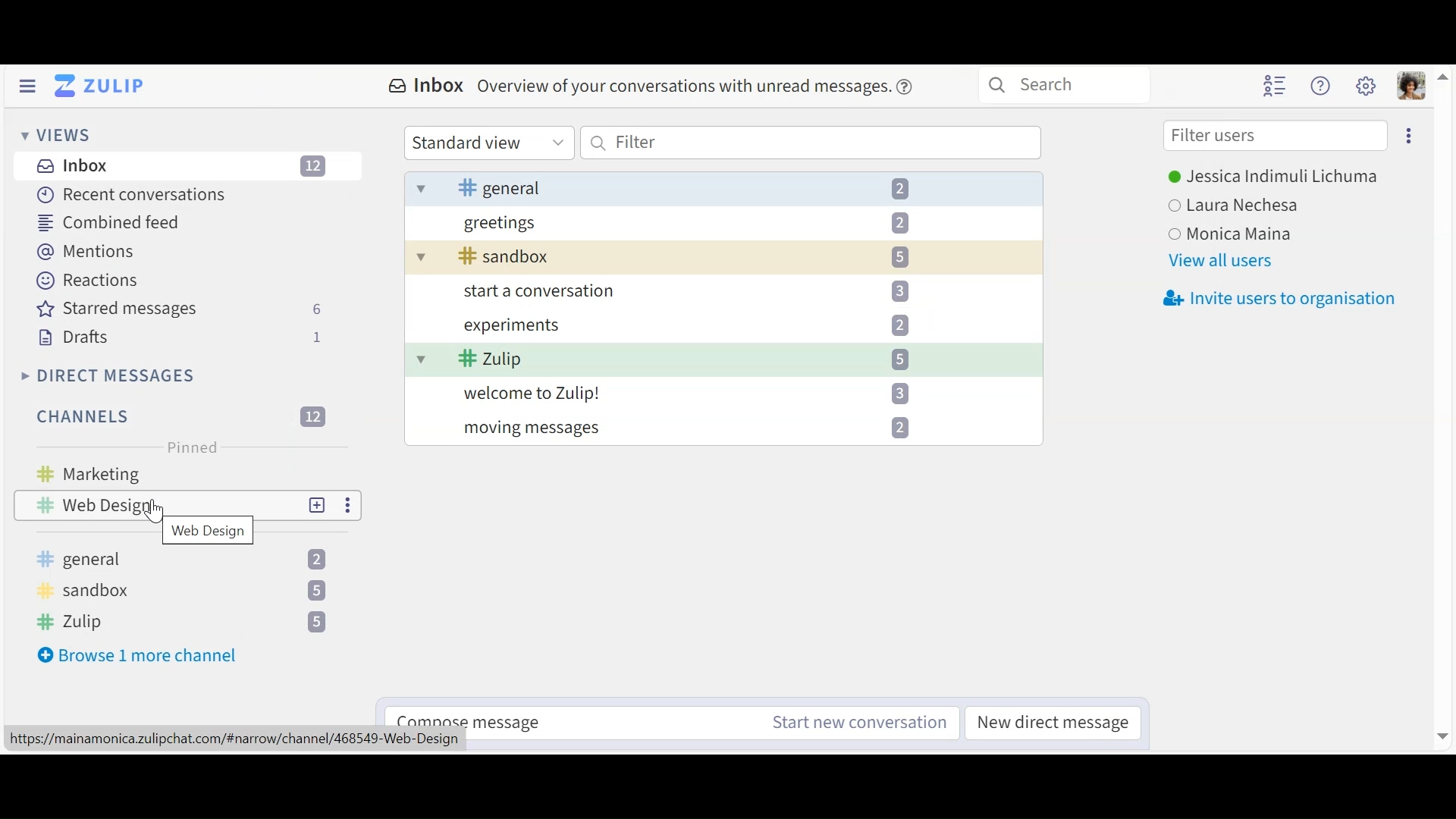  I want to click on Help menu, so click(1322, 85).